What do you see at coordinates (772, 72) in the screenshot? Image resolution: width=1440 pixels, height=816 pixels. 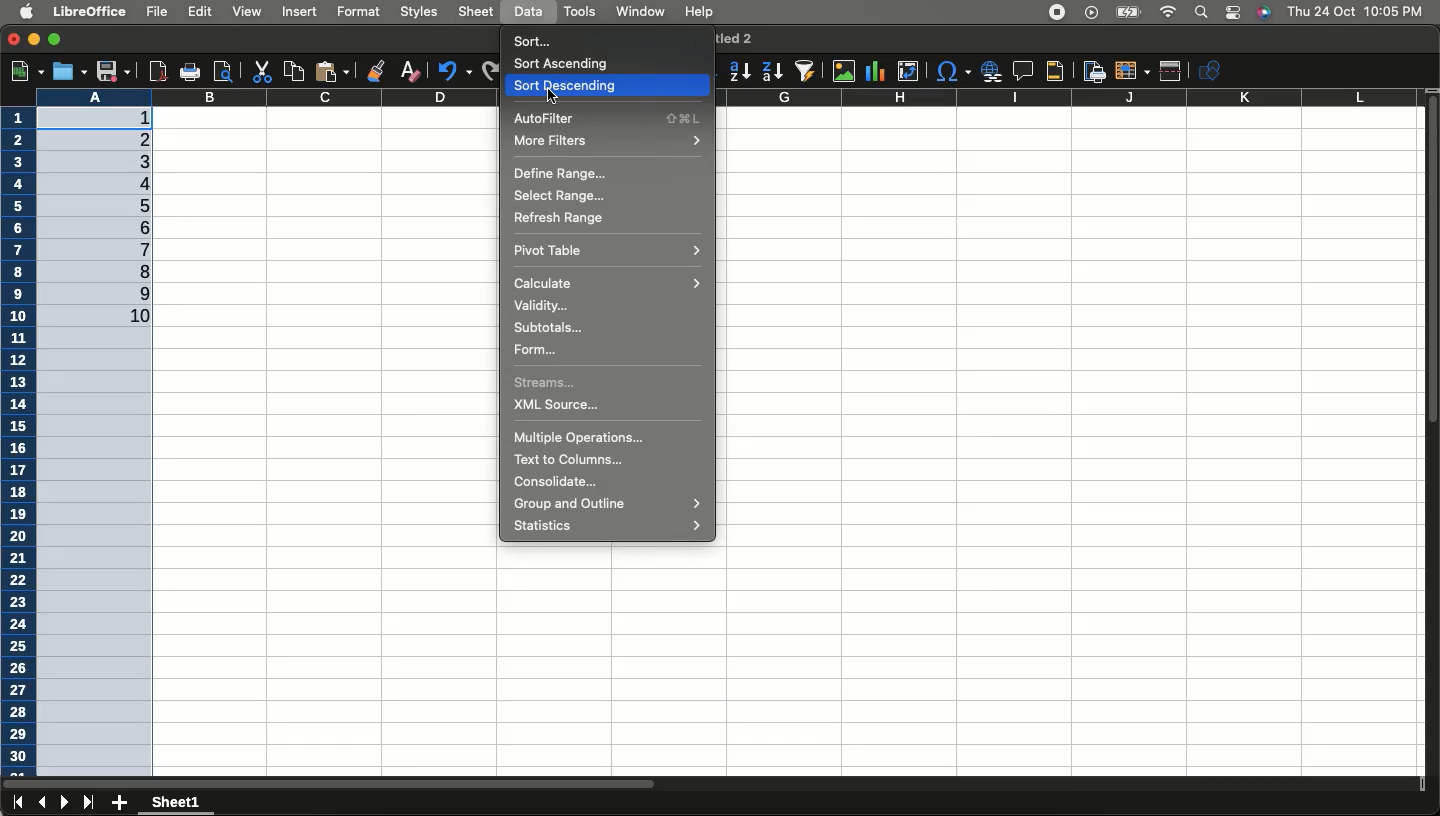 I see `Sort descending` at bounding box center [772, 72].